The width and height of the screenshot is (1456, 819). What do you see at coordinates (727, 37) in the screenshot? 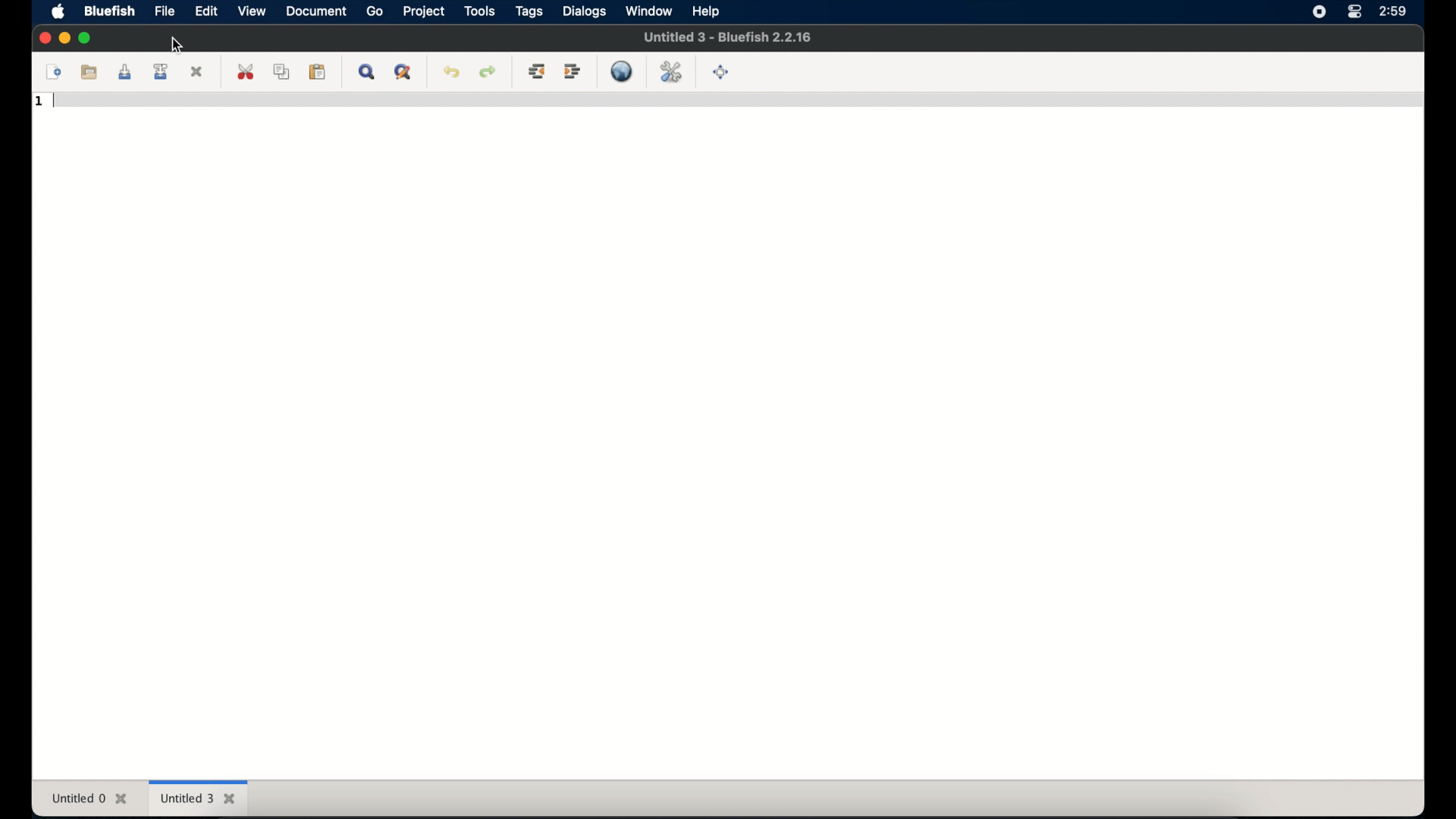
I see `untitled 0 - bluefish 2.2.16` at bounding box center [727, 37].